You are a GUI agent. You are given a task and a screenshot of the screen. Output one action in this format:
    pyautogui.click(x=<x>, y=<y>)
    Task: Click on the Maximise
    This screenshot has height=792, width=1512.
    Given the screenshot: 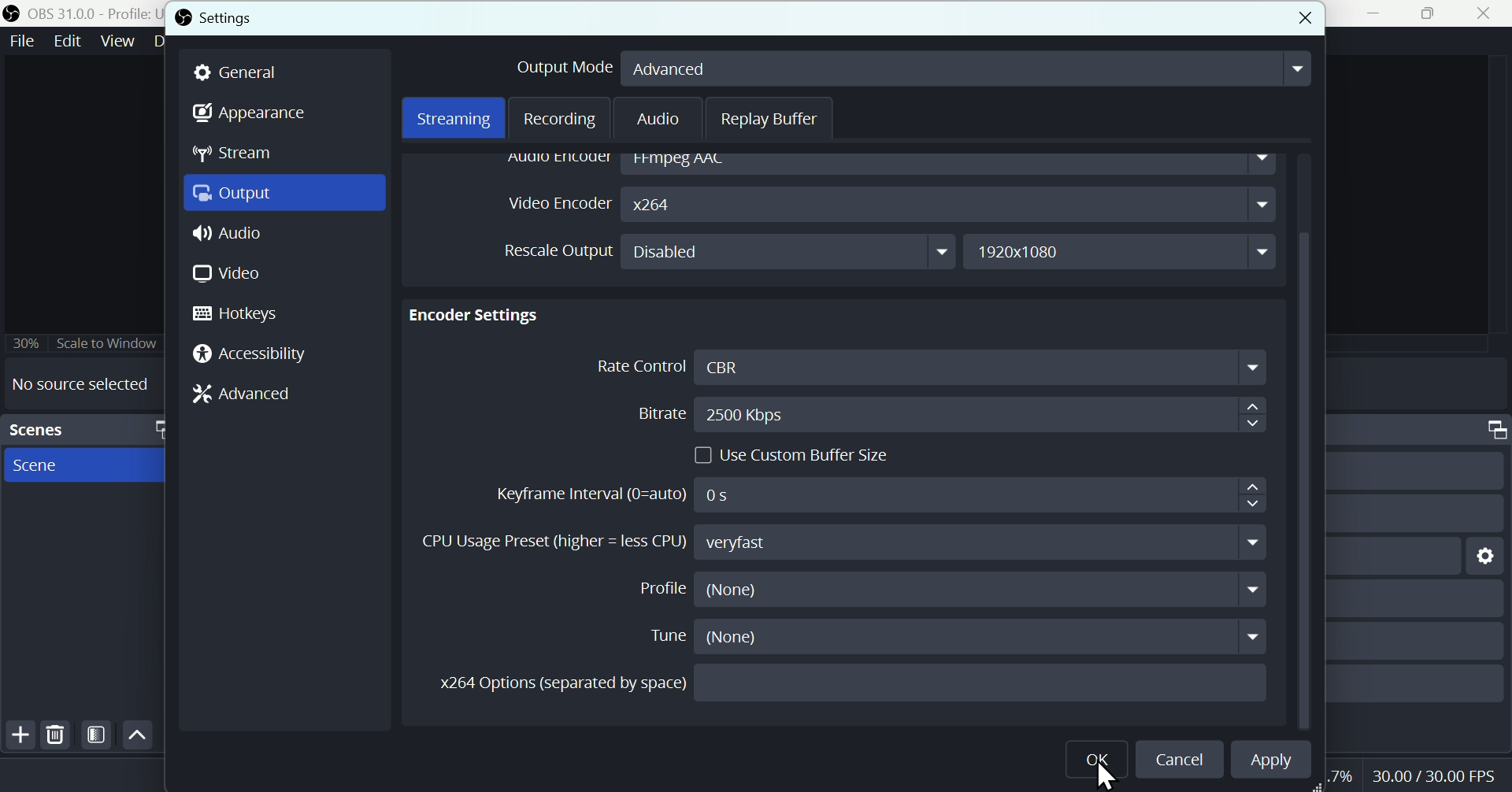 What is the action you would take?
    pyautogui.click(x=1430, y=13)
    